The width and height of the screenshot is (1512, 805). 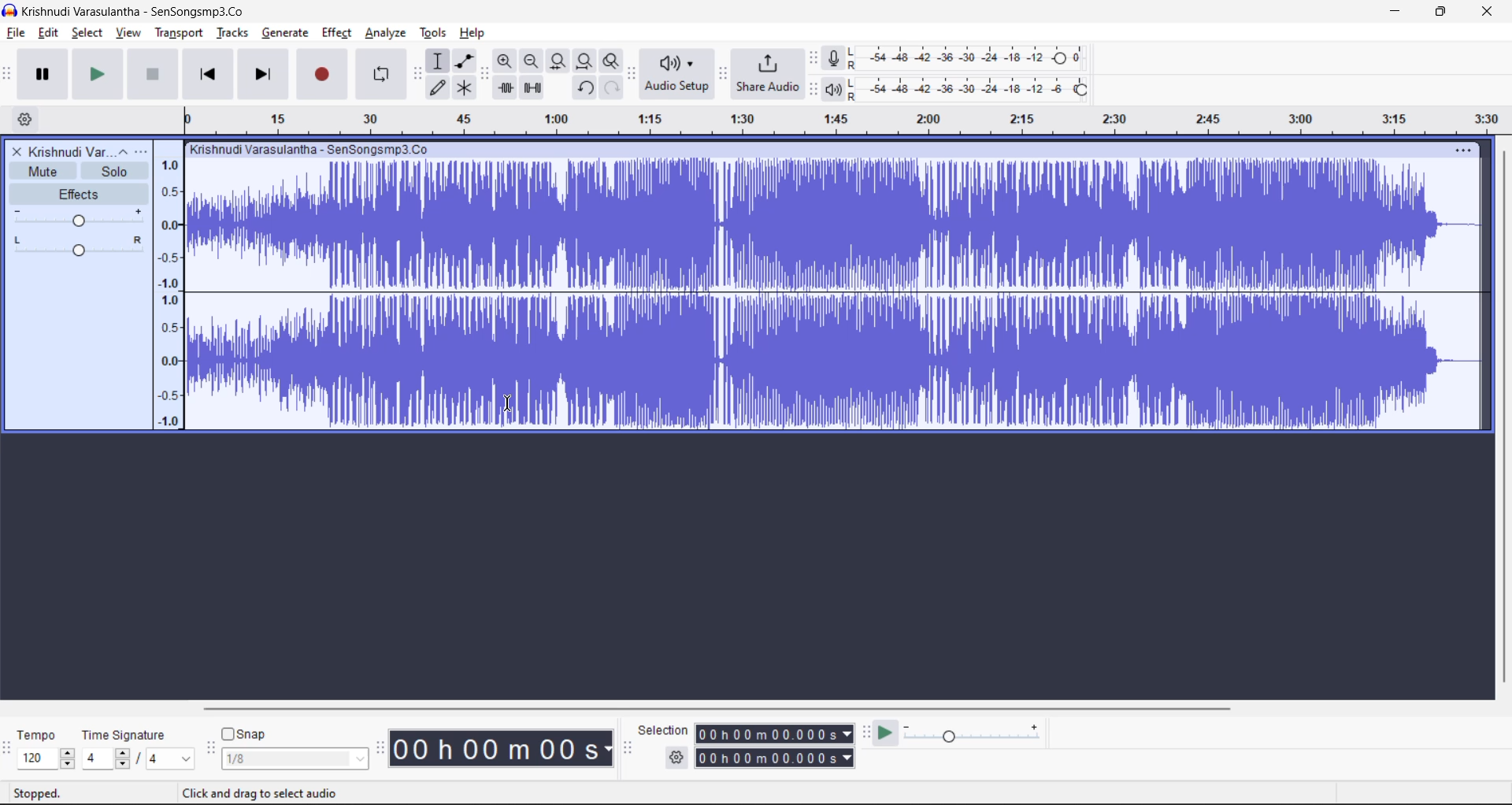 What do you see at coordinates (823, 295) in the screenshot?
I see `audio track` at bounding box center [823, 295].